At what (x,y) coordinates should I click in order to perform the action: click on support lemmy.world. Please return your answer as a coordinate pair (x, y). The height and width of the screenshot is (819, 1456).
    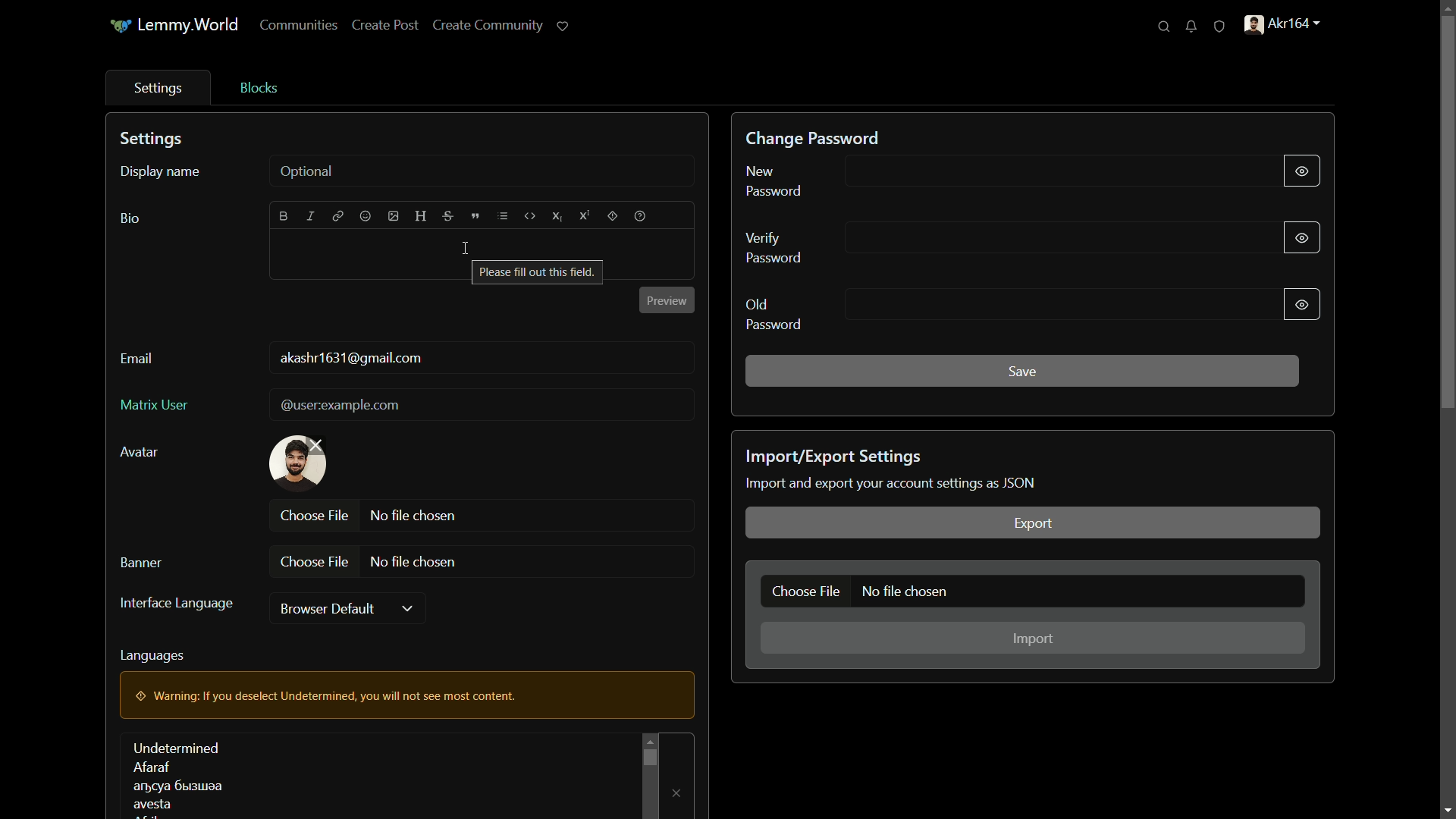
    Looking at the image, I should click on (563, 24).